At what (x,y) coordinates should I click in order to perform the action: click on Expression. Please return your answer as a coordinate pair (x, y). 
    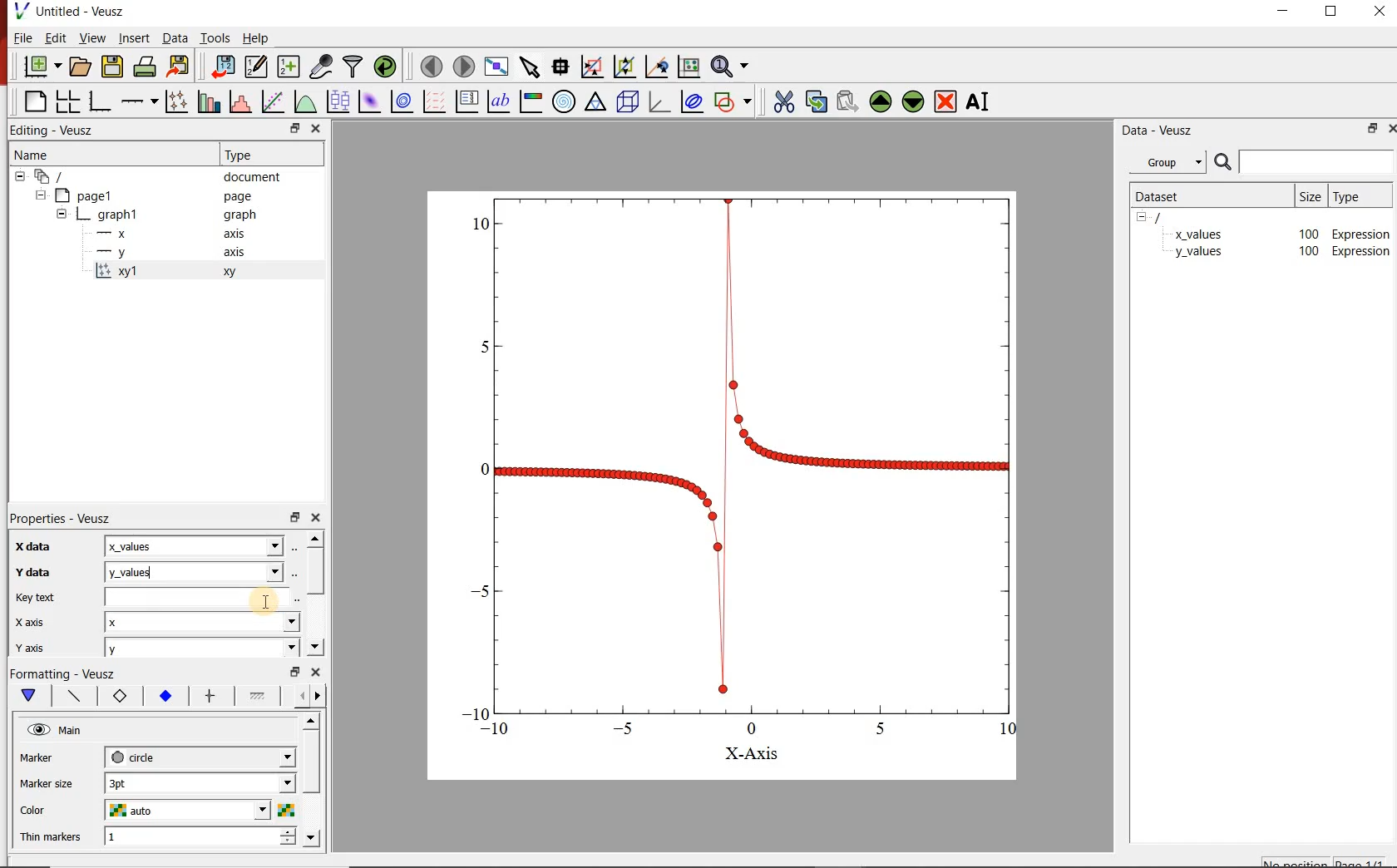
    Looking at the image, I should click on (1362, 232).